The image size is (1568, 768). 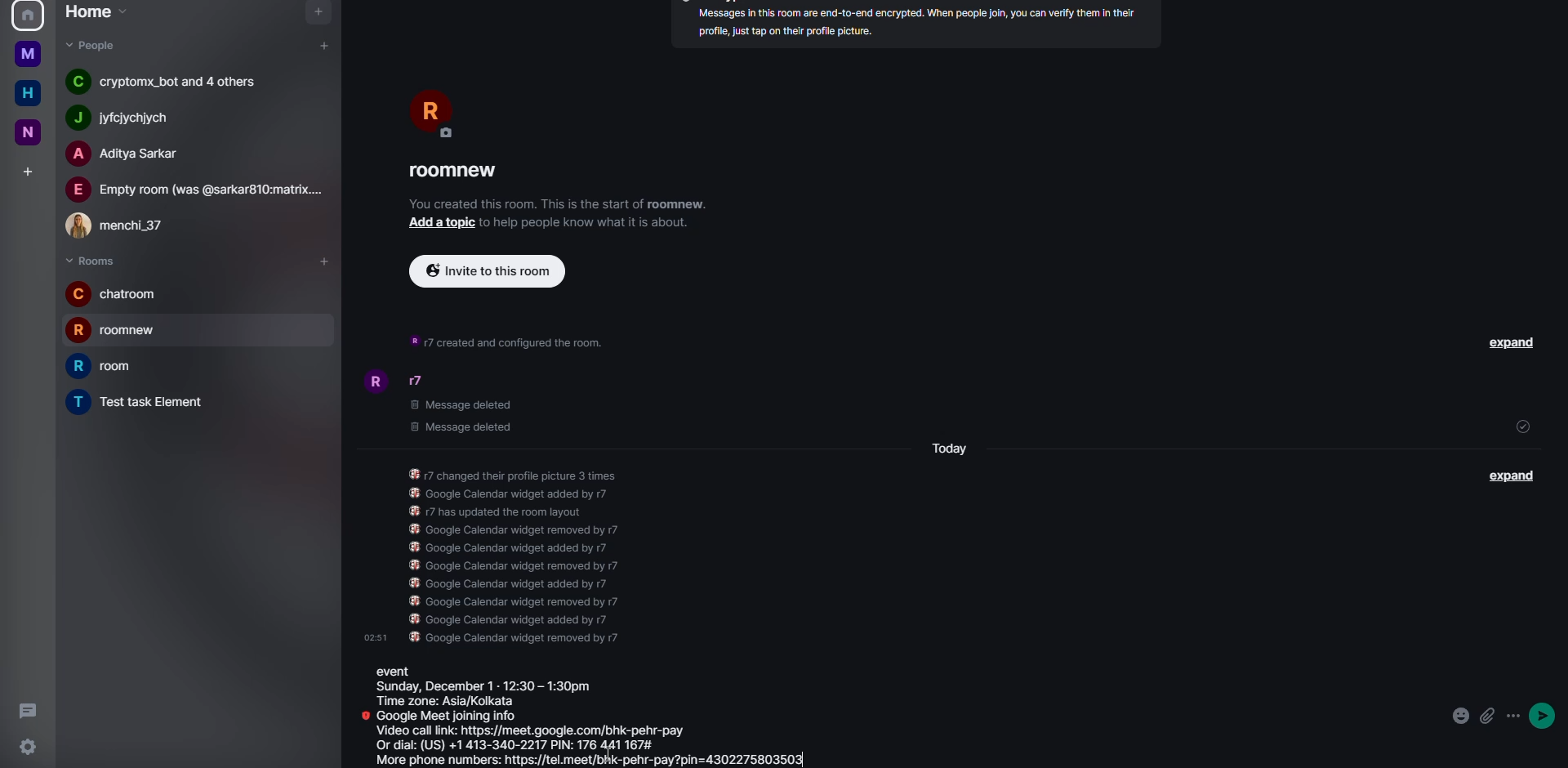 What do you see at coordinates (1510, 476) in the screenshot?
I see `expand` at bounding box center [1510, 476].